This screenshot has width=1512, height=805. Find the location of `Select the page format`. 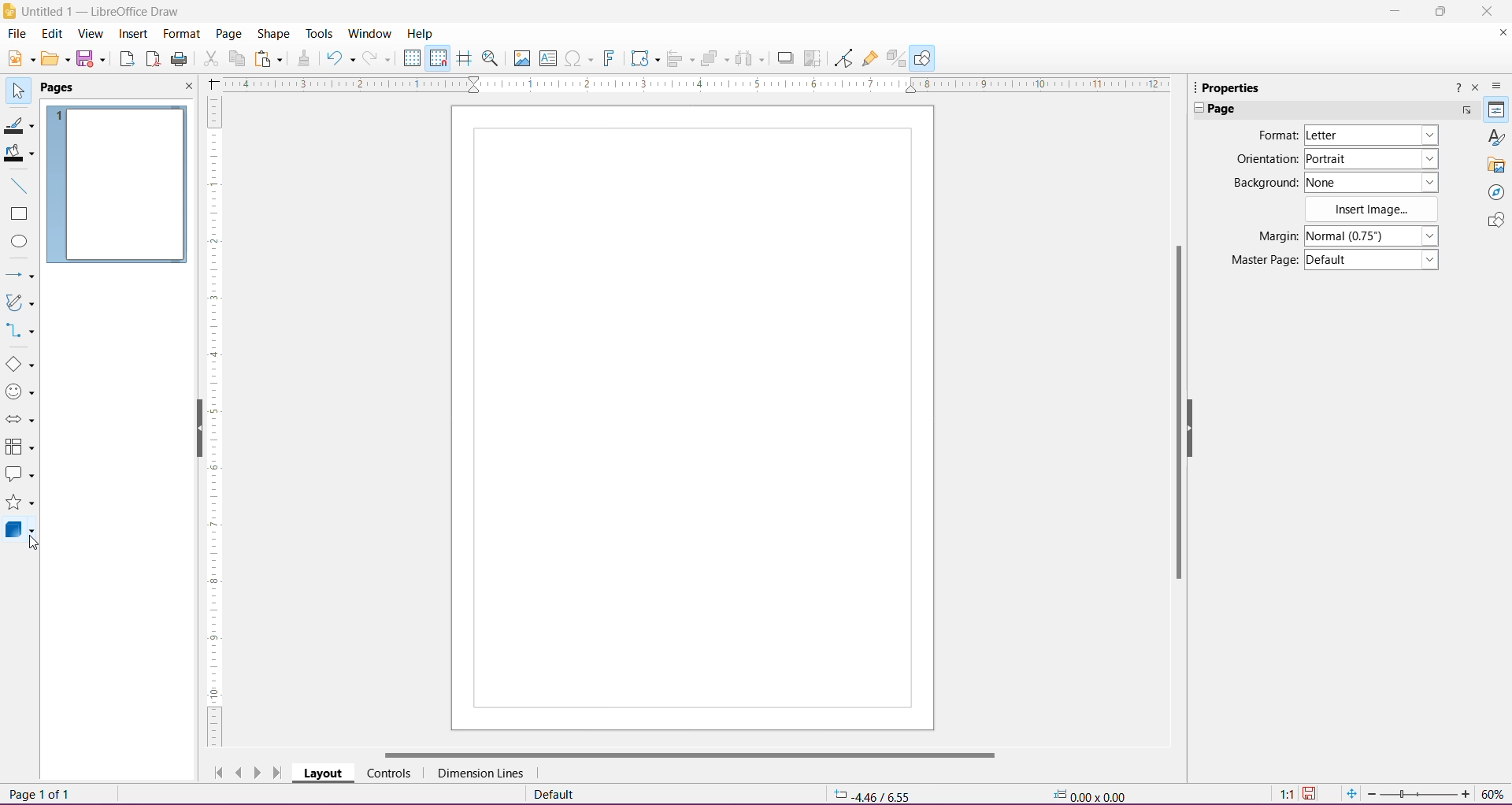

Select the page format is located at coordinates (1371, 137).